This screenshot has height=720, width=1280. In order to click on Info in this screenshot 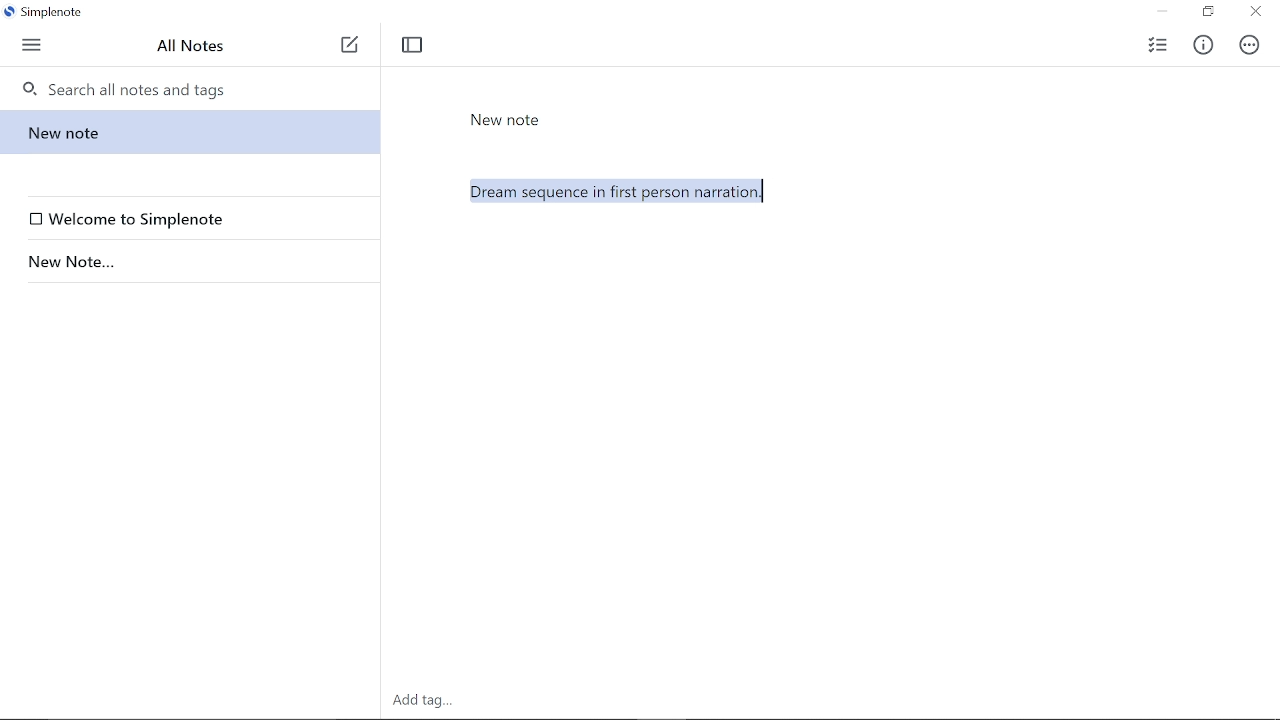, I will do `click(1208, 42)`.